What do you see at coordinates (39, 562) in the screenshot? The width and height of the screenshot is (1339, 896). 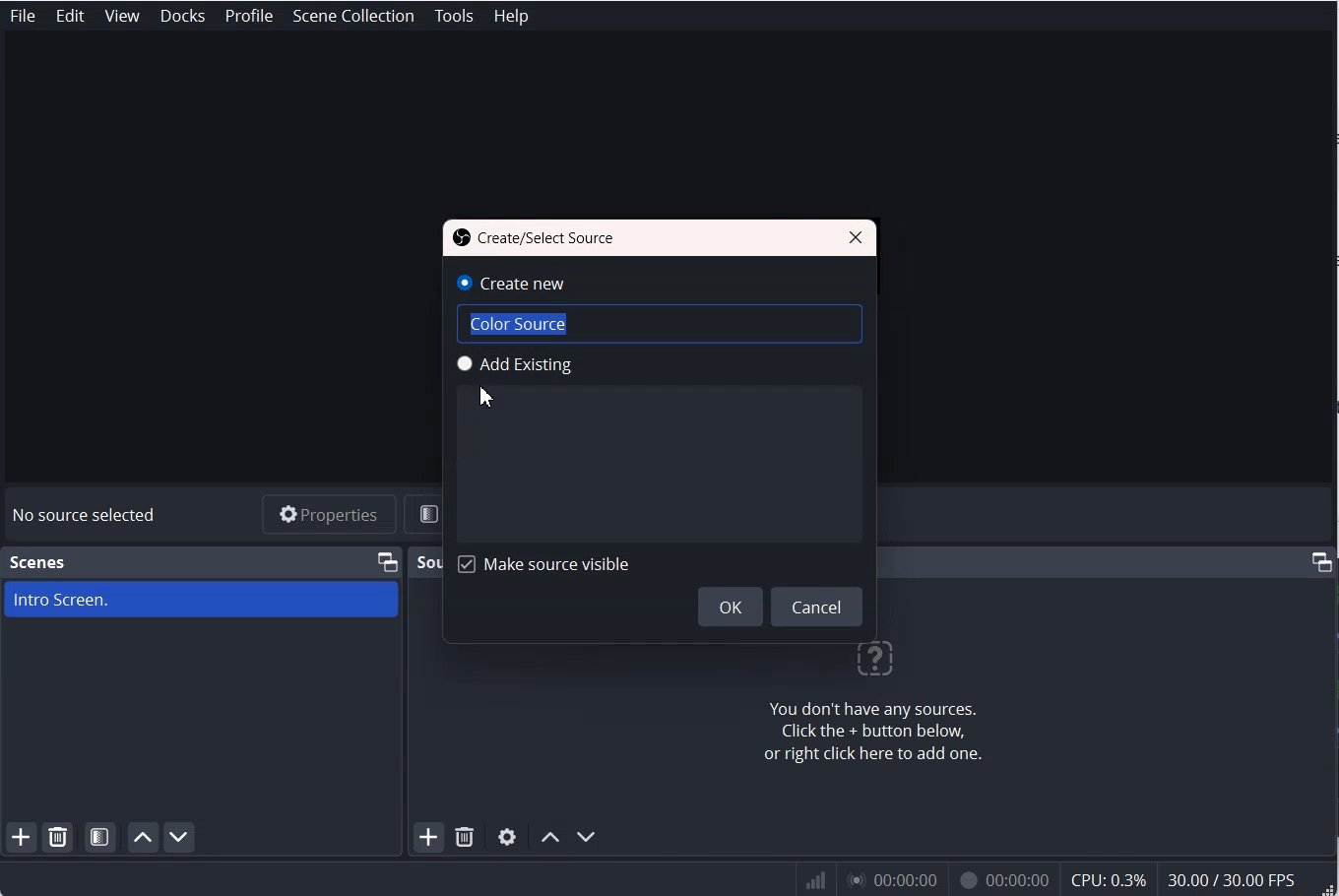 I see `Scene` at bounding box center [39, 562].